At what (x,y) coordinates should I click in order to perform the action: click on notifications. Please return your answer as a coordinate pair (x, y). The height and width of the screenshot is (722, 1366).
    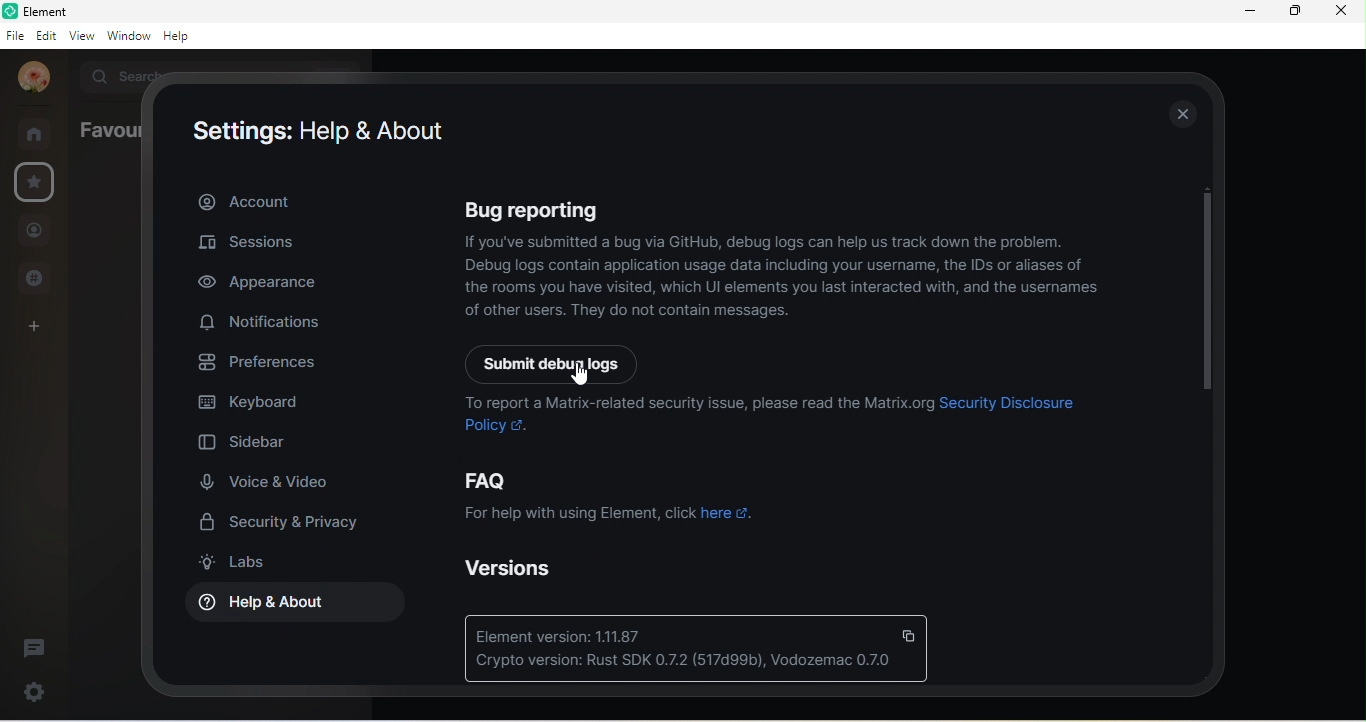
    Looking at the image, I should click on (261, 323).